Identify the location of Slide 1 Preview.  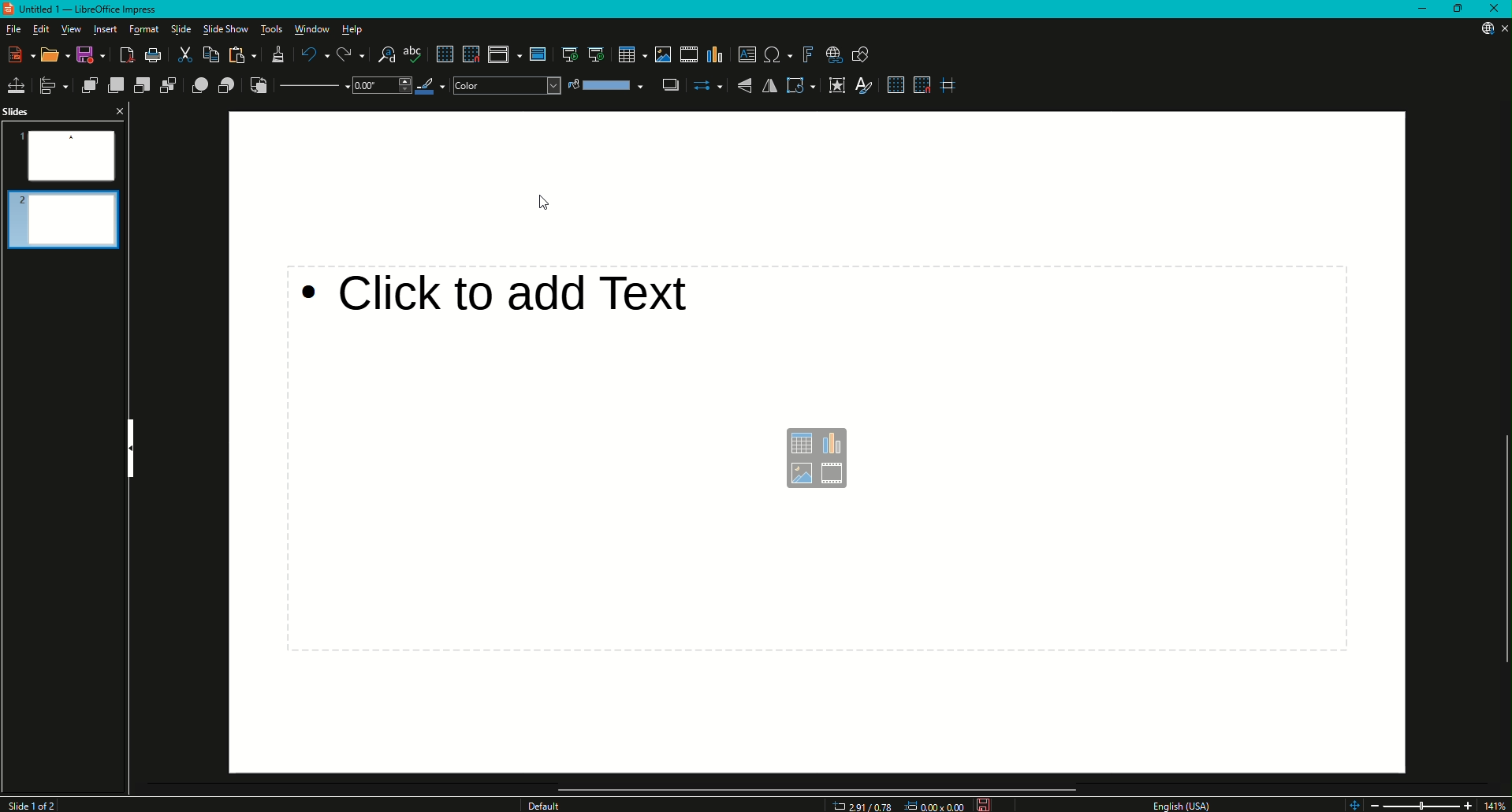
(65, 155).